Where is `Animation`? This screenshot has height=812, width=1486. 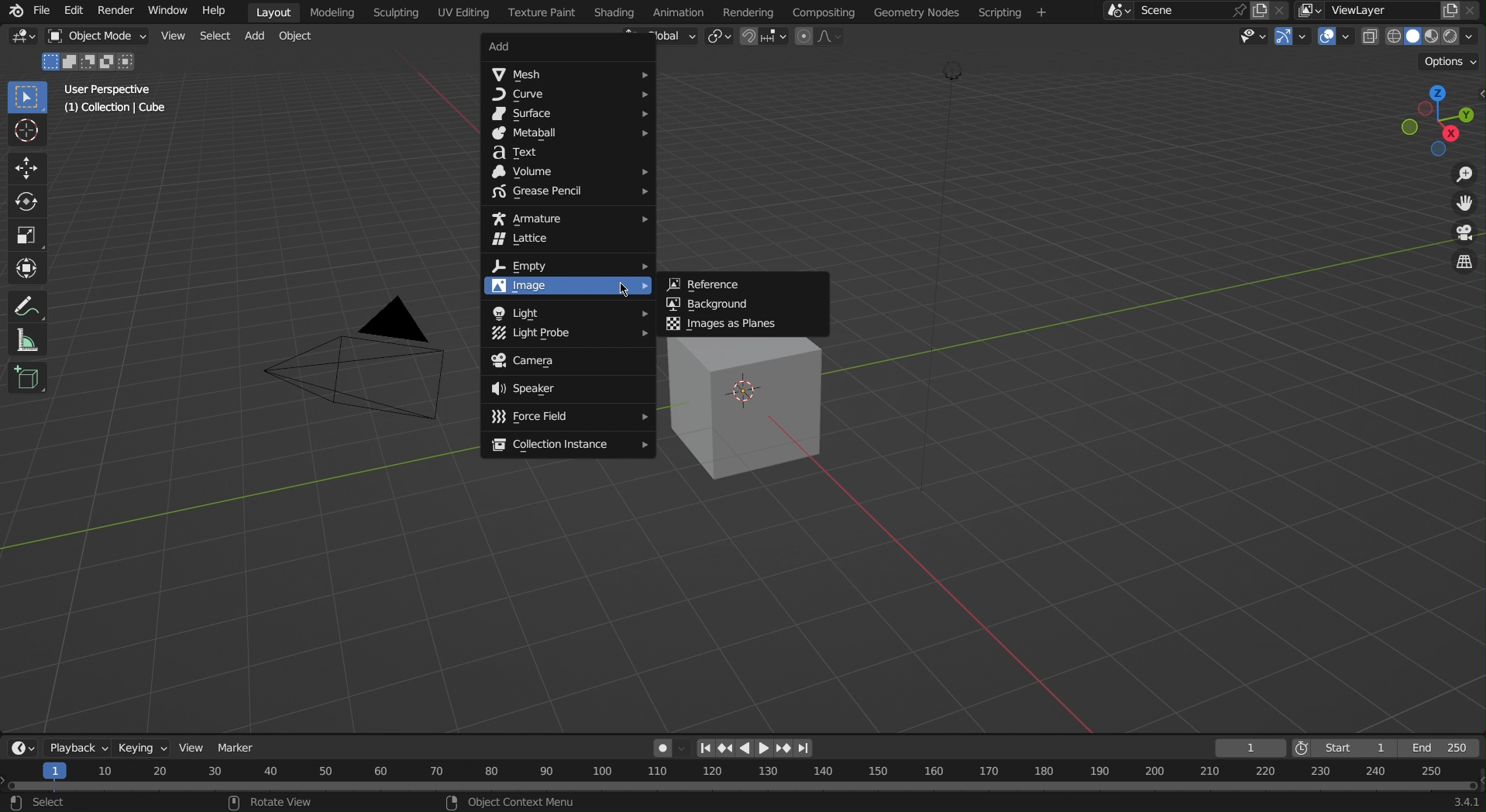 Animation is located at coordinates (681, 11).